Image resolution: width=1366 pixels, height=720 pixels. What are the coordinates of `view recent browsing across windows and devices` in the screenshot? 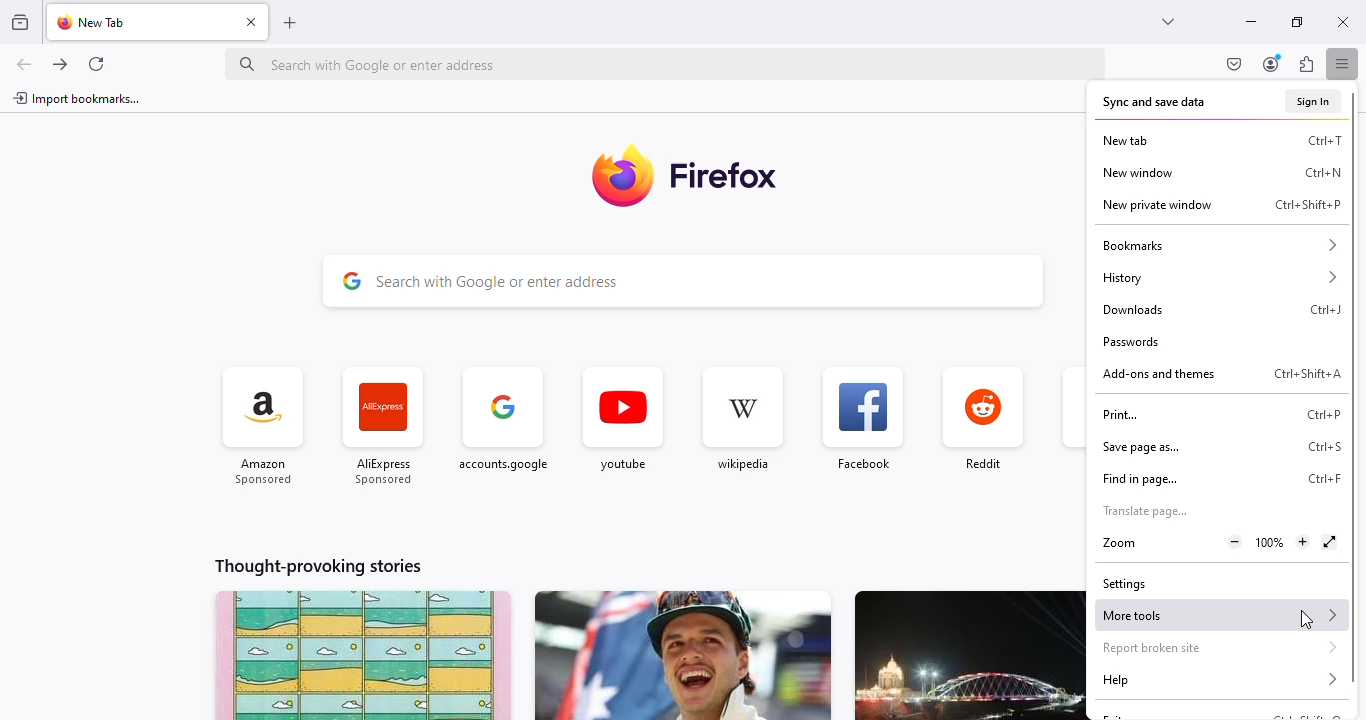 It's located at (20, 21).